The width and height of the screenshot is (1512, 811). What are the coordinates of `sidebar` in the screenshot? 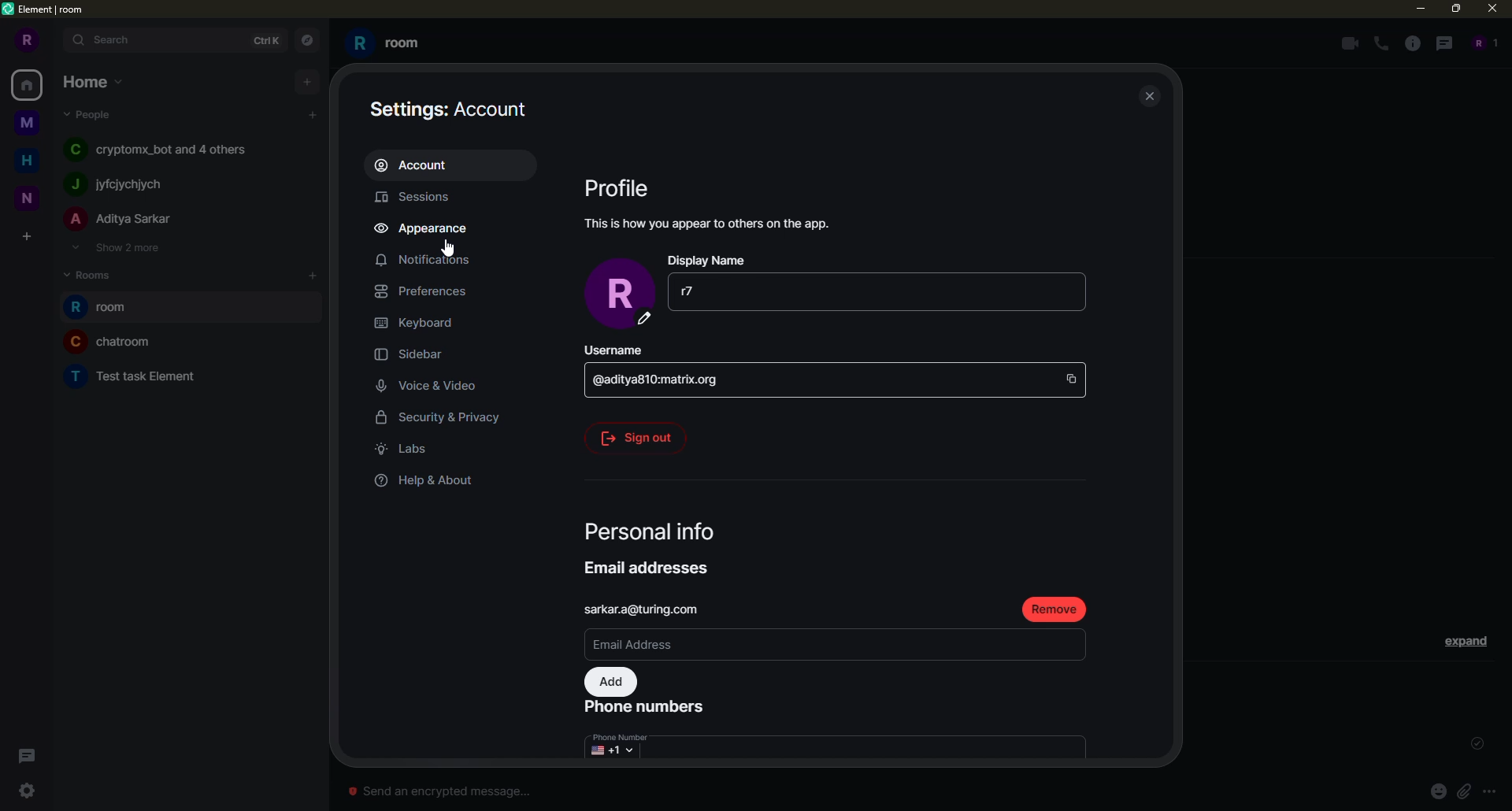 It's located at (416, 356).